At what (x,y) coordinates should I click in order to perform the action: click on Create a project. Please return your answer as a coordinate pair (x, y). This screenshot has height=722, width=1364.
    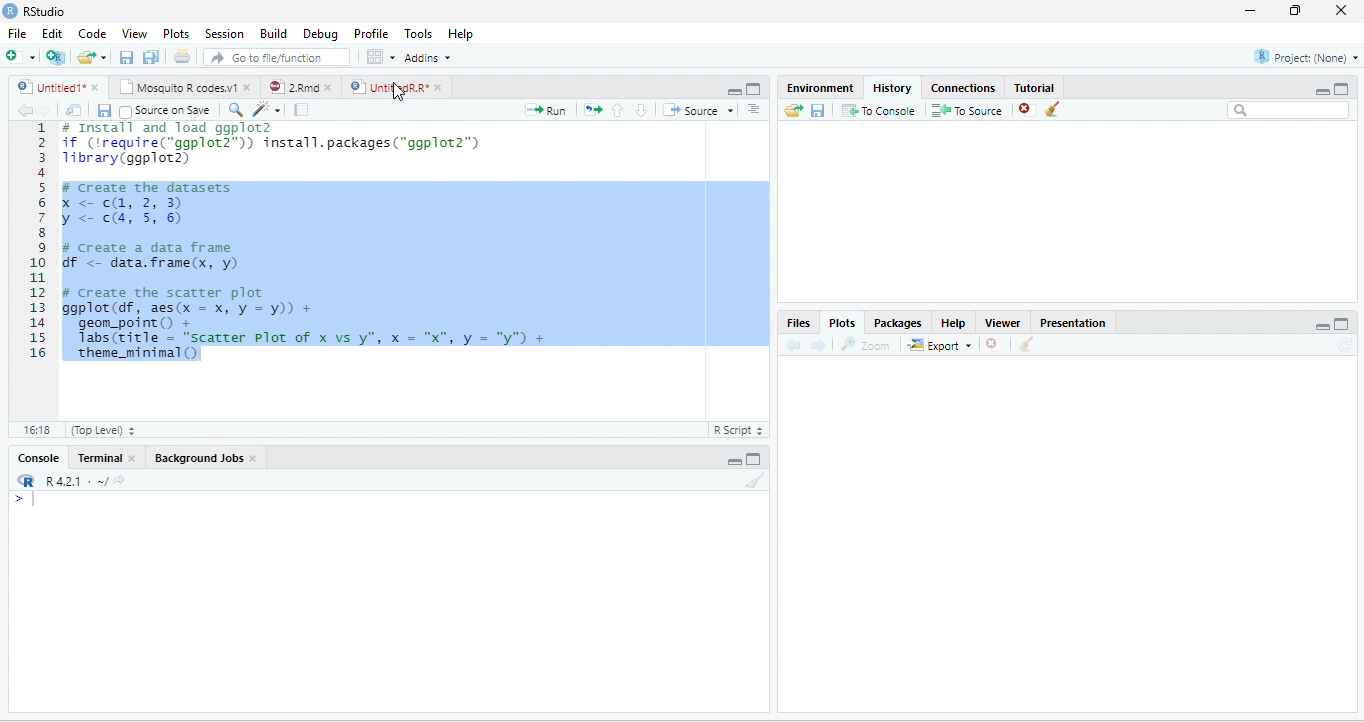
    Looking at the image, I should click on (57, 55).